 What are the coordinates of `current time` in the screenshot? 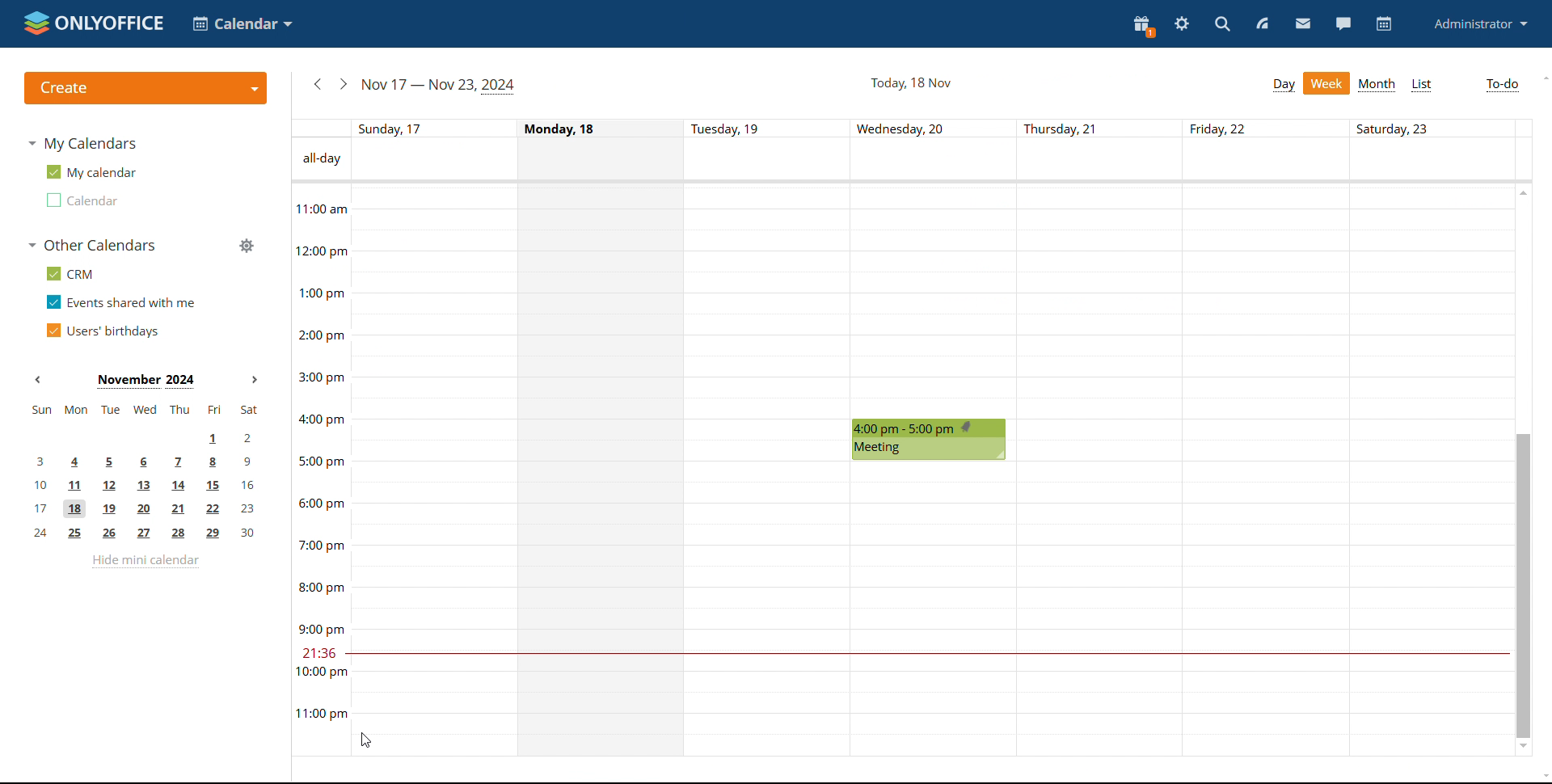 It's located at (926, 654).